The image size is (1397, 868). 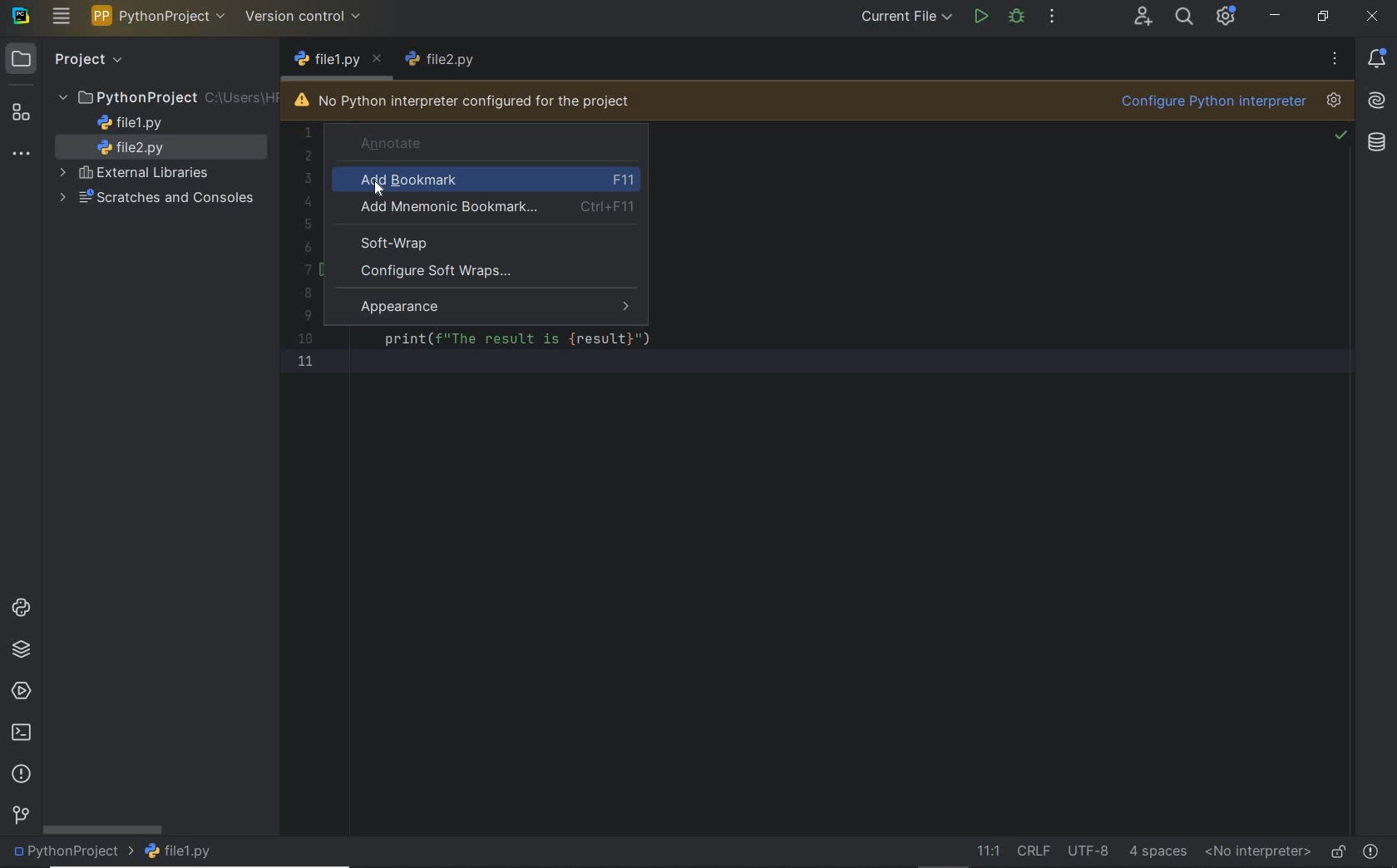 I want to click on file name, so click(x=180, y=853).